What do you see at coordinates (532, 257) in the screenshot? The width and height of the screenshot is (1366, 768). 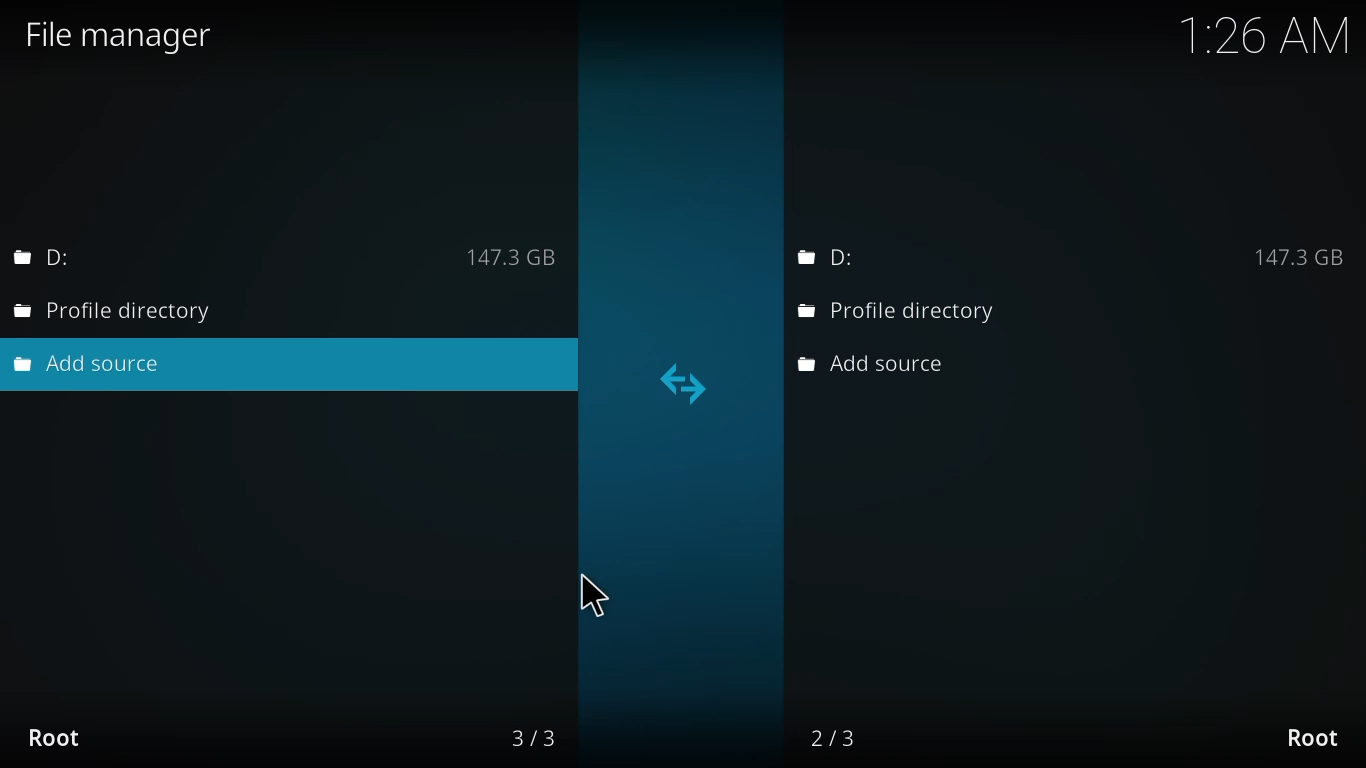 I see `space` at bounding box center [532, 257].